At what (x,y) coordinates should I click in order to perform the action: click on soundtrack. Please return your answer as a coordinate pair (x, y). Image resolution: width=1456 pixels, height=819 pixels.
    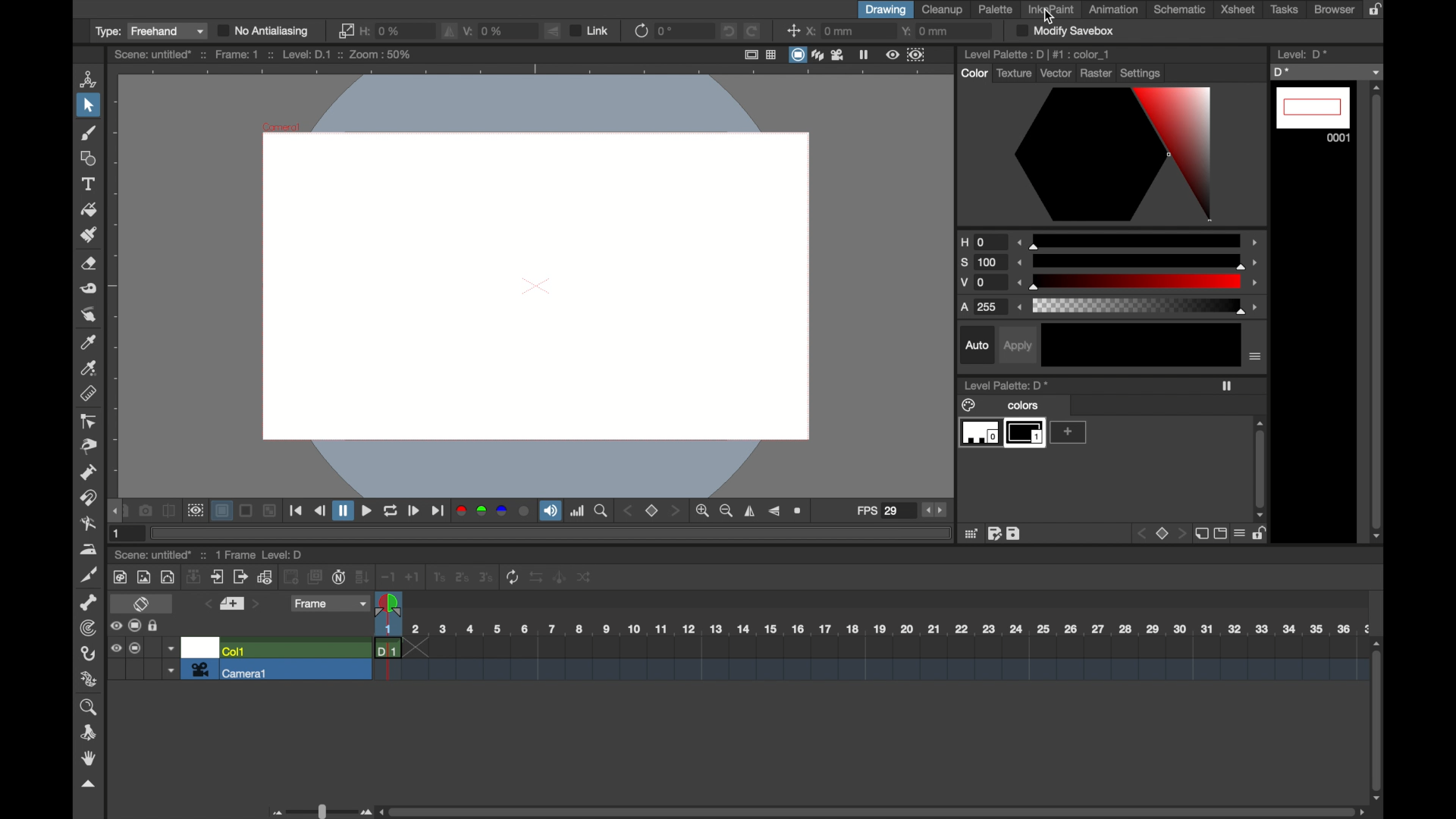
    Looking at the image, I should click on (550, 510).